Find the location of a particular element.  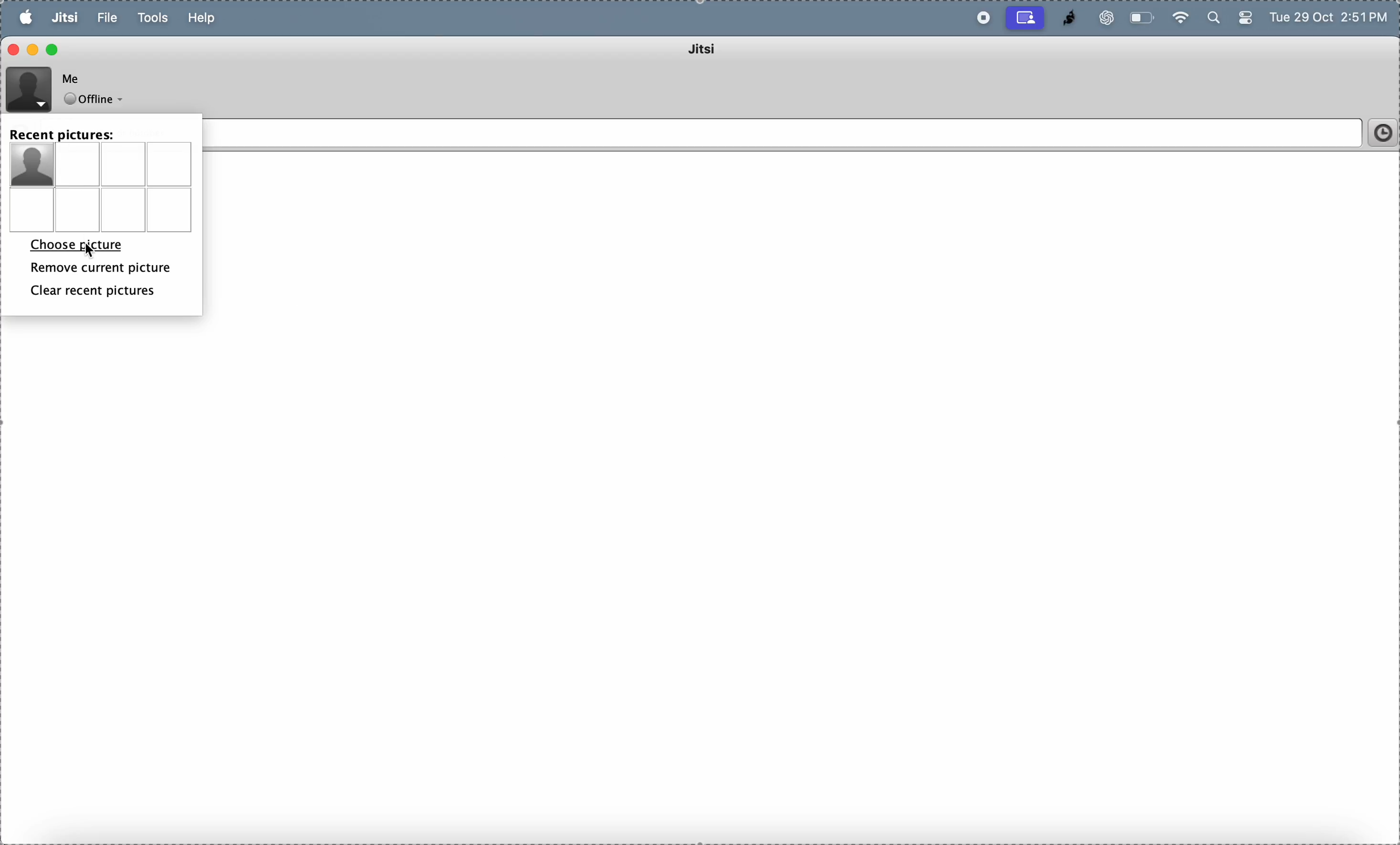

maximize is located at coordinates (53, 48).